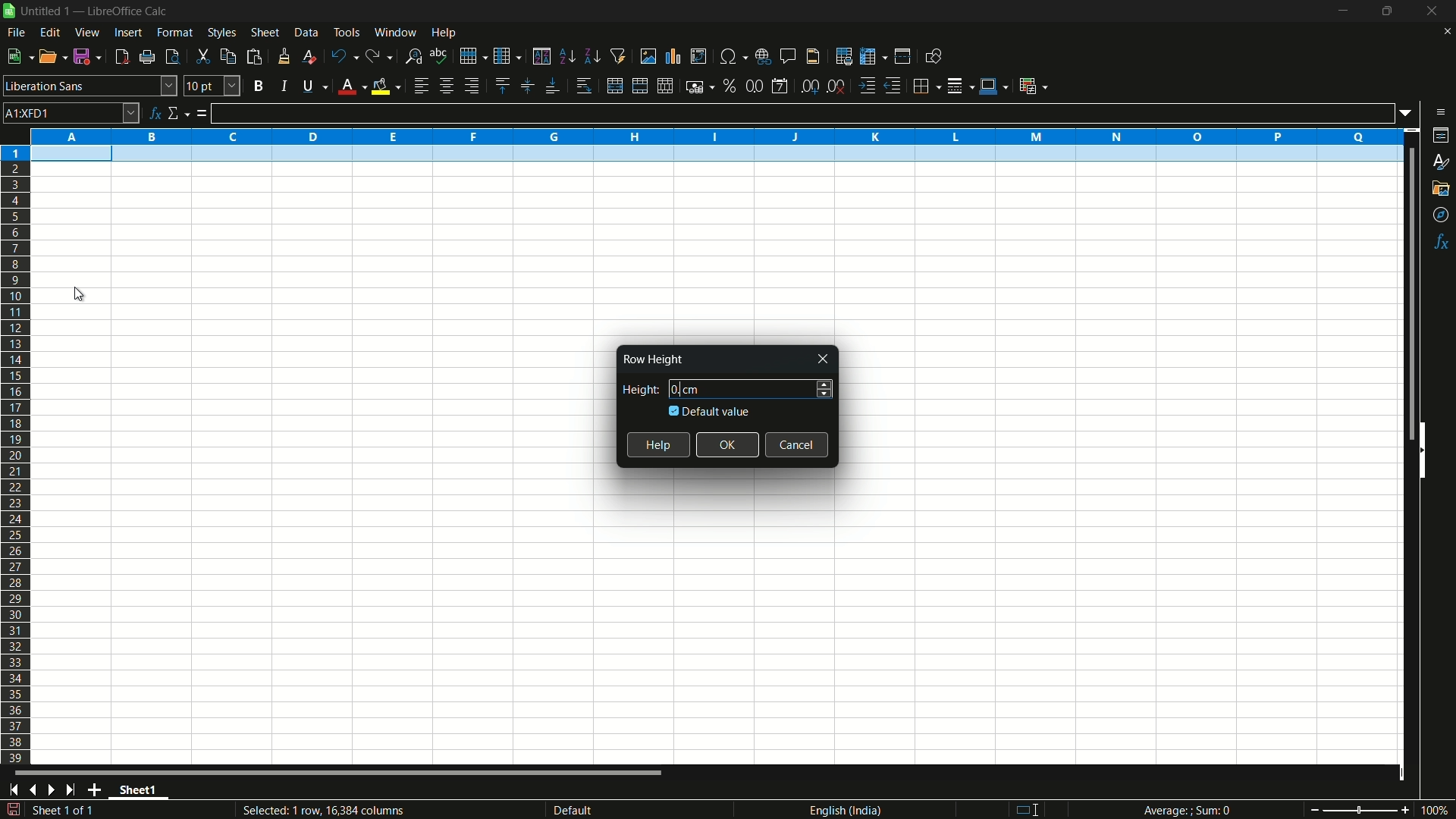  Describe the element at coordinates (894, 86) in the screenshot. I see `decrease indentation` at that location.